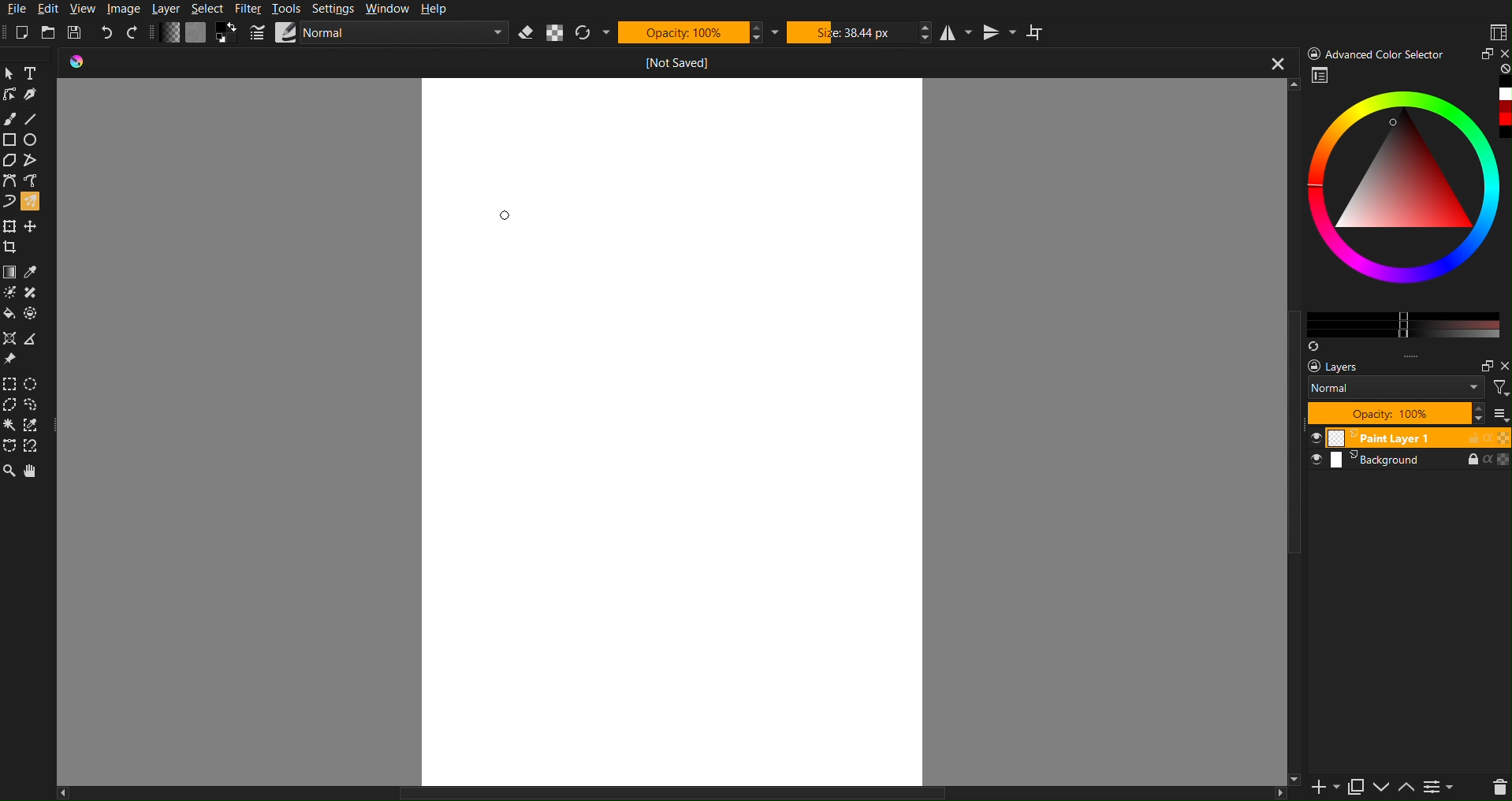 This screenshot has width=1512, height=801. What do you see at coordinates (9, 293) in the screenshot?
I see `Colorise Mask` at bounding box center [9, 293].